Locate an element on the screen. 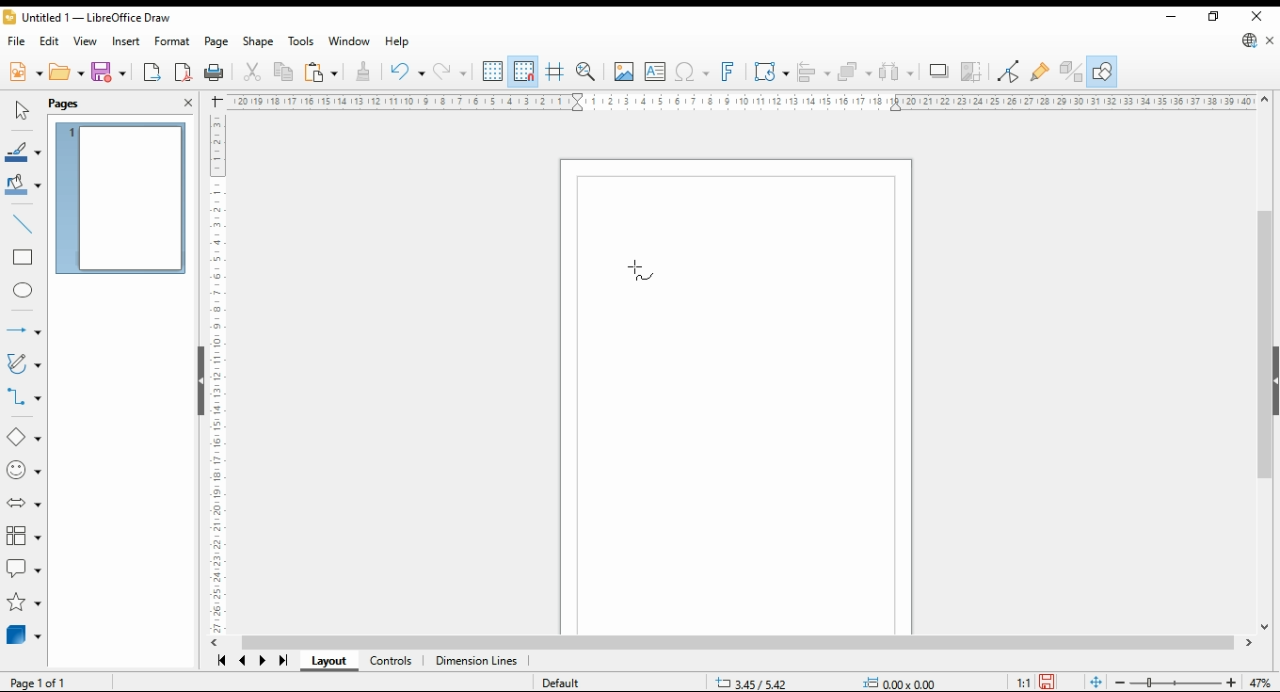 The height and width of the screenshot is (692, 1280). icon and file name is located at coordinates (87, 16).